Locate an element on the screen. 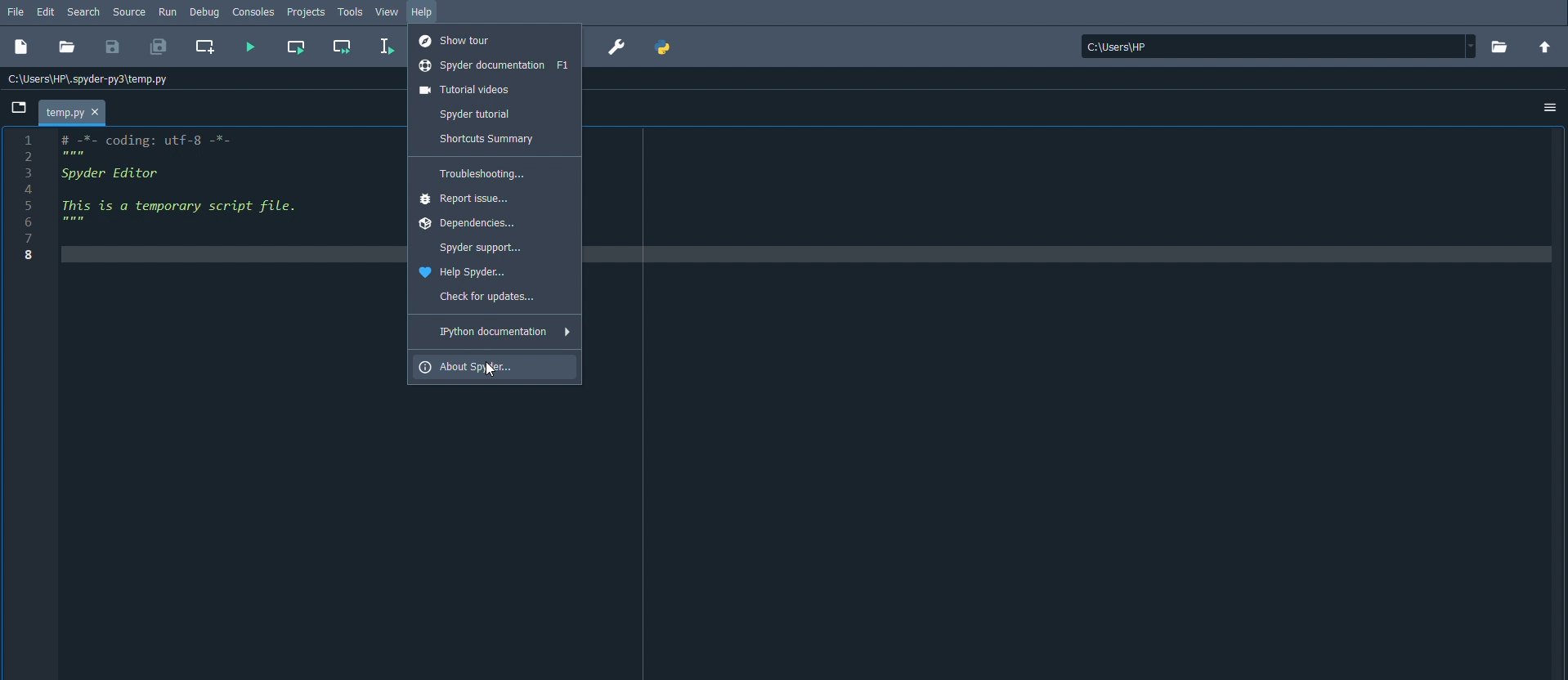 This screenshot has width=1568, height=680. Tools is located at coordinates (351, 11).